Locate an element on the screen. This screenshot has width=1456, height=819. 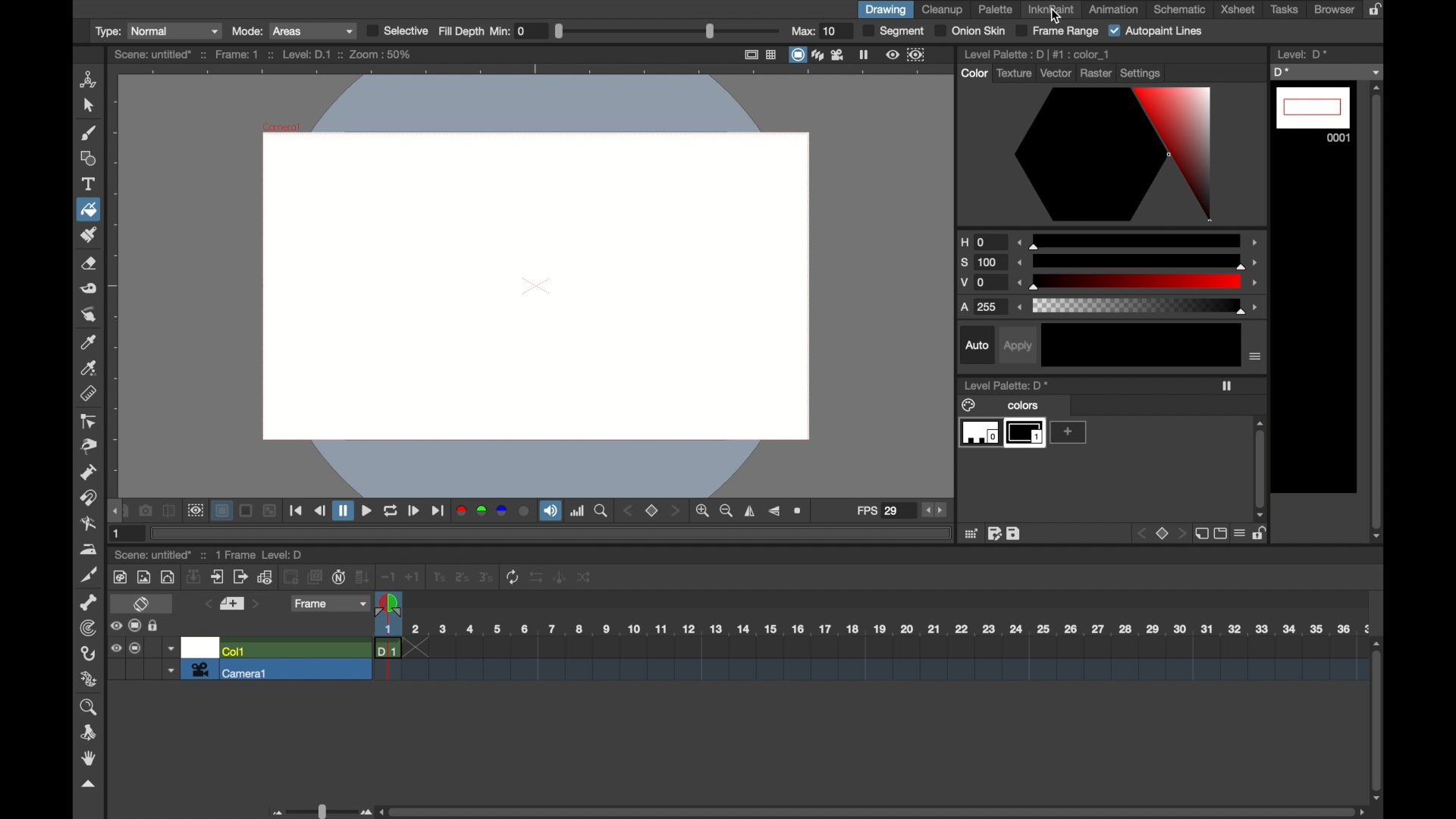
tracker tool is located at coordinates (86, 628).